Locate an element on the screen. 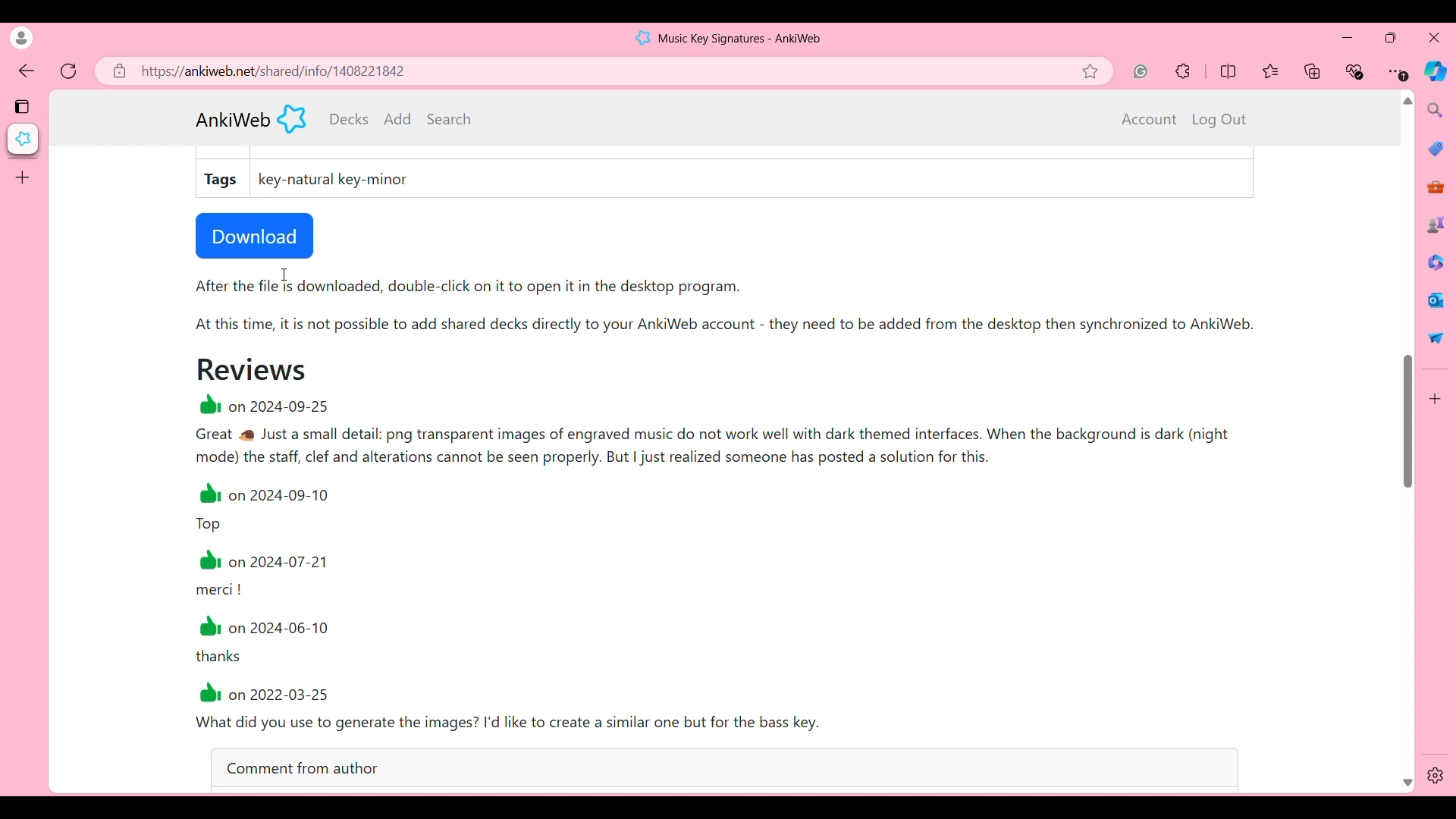  Settings is located at coordinates (1436, 776).